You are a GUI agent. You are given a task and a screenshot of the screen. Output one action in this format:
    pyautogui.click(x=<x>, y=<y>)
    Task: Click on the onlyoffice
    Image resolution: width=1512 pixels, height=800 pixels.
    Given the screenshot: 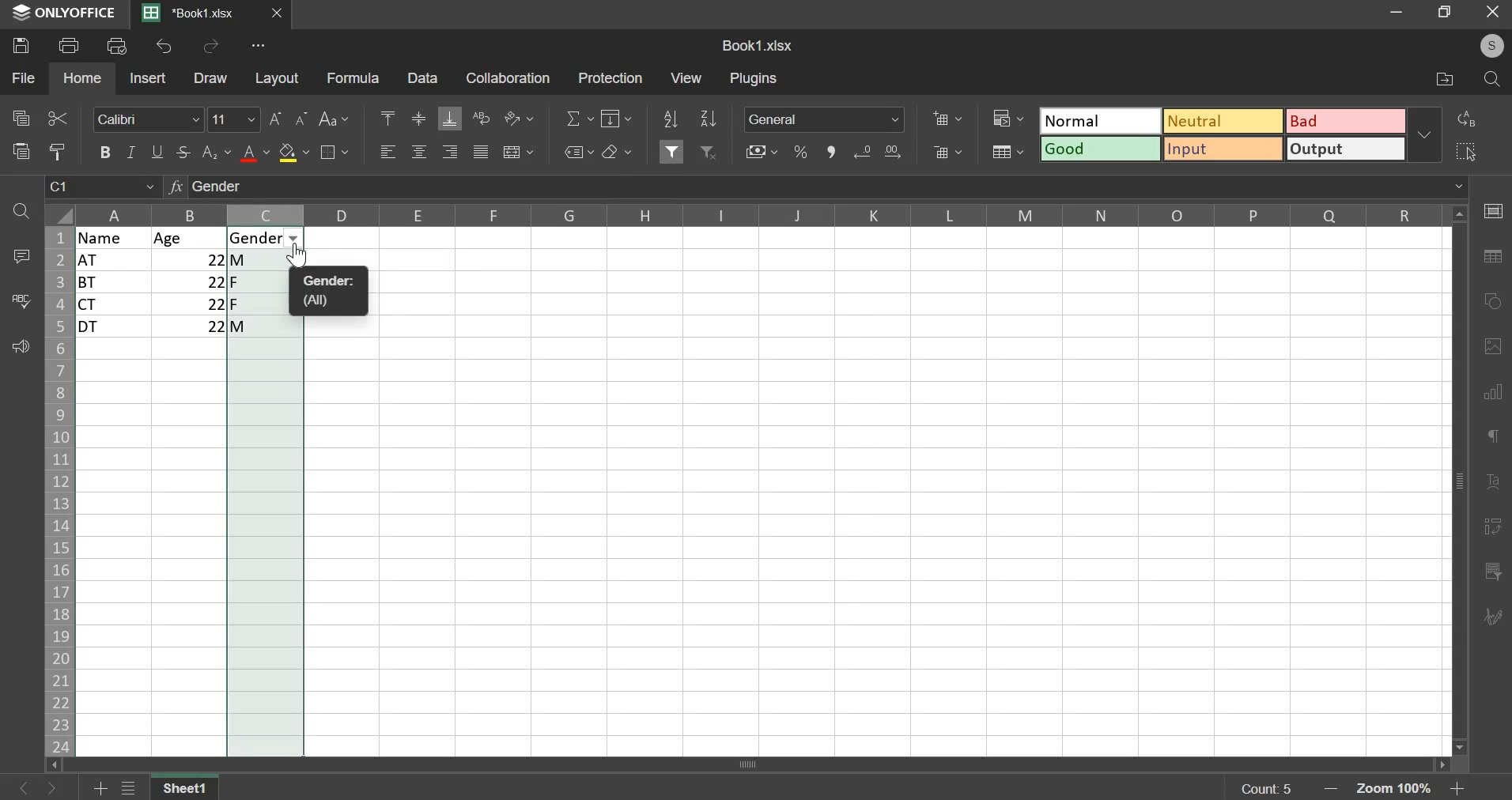 What is the action you would take?
    pyautogui.click(x=65, y=14)
    